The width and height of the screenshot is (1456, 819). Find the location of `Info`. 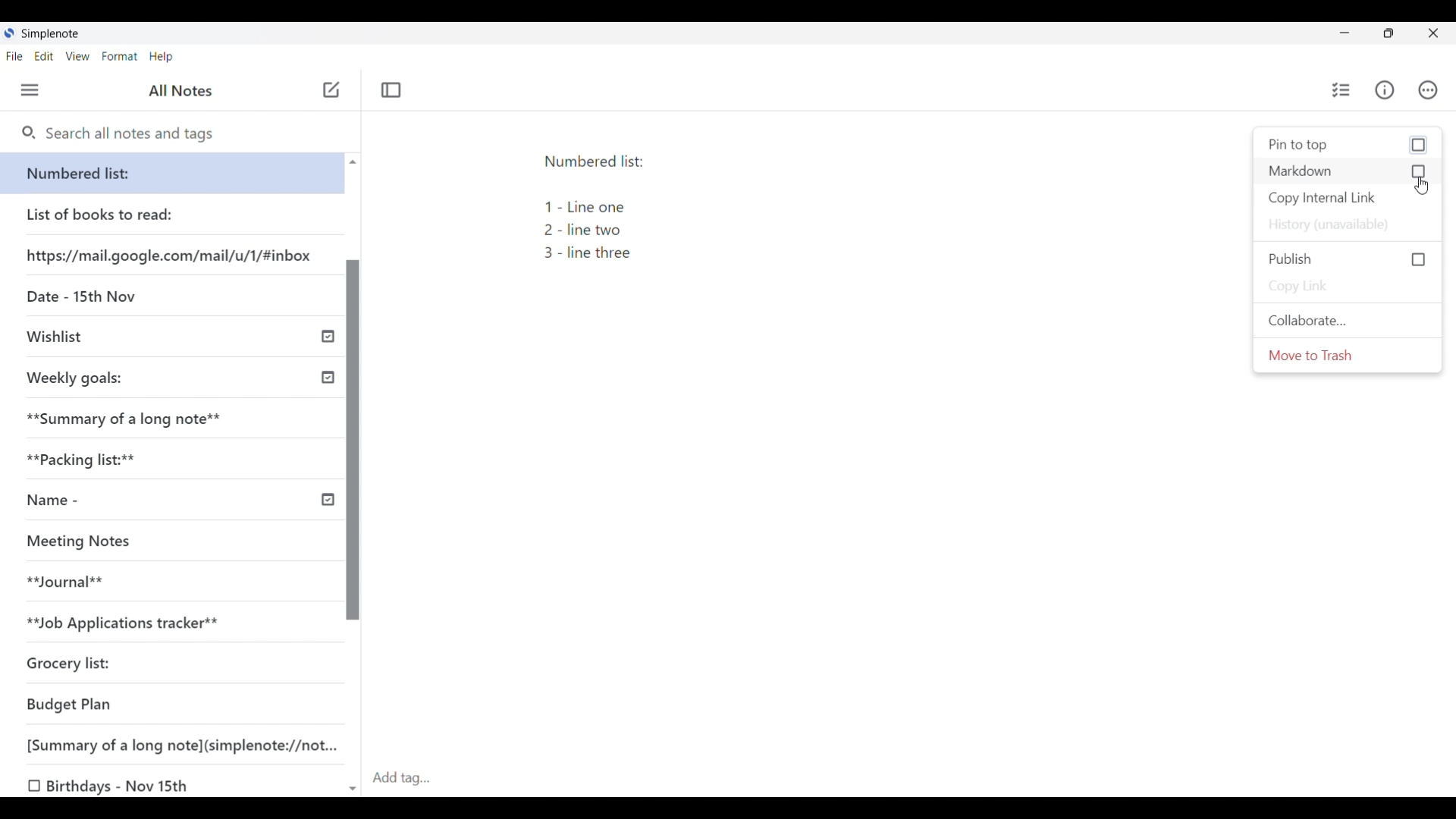

Info is located at coordinates (1385, 90).